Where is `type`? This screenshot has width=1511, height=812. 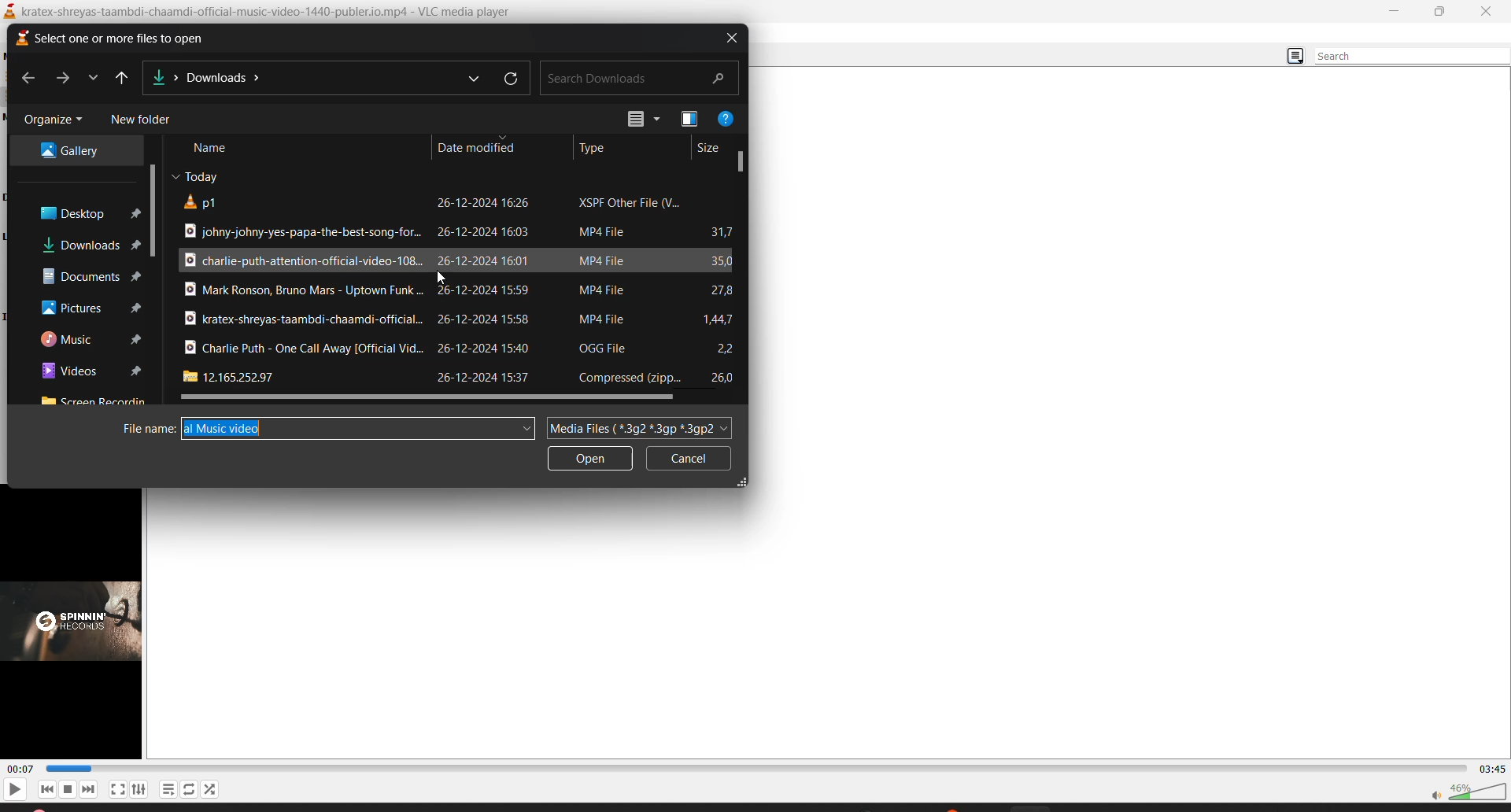 type is located at coordinates (608, 150).